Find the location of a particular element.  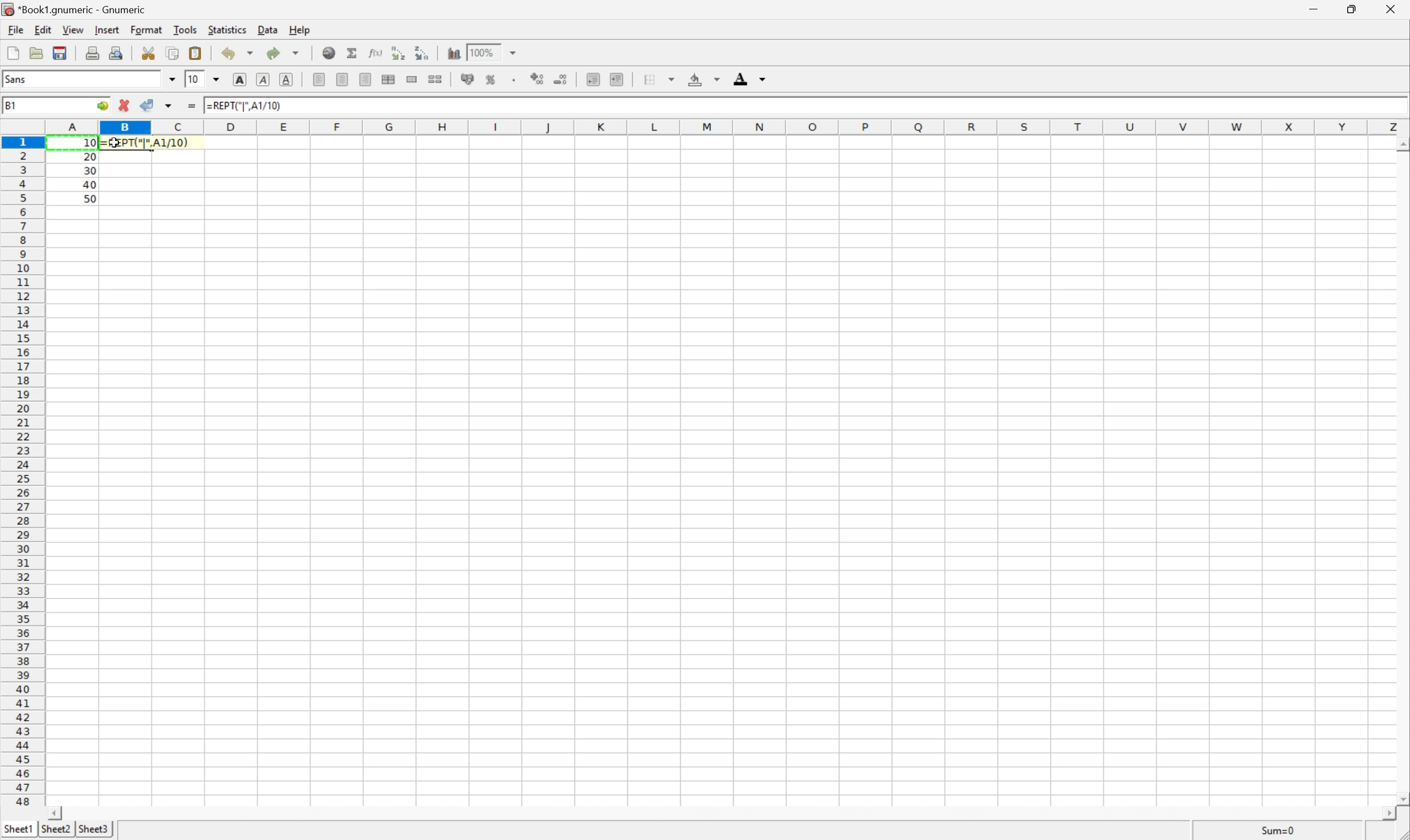

Row Number is located at coordinates (22, 472).